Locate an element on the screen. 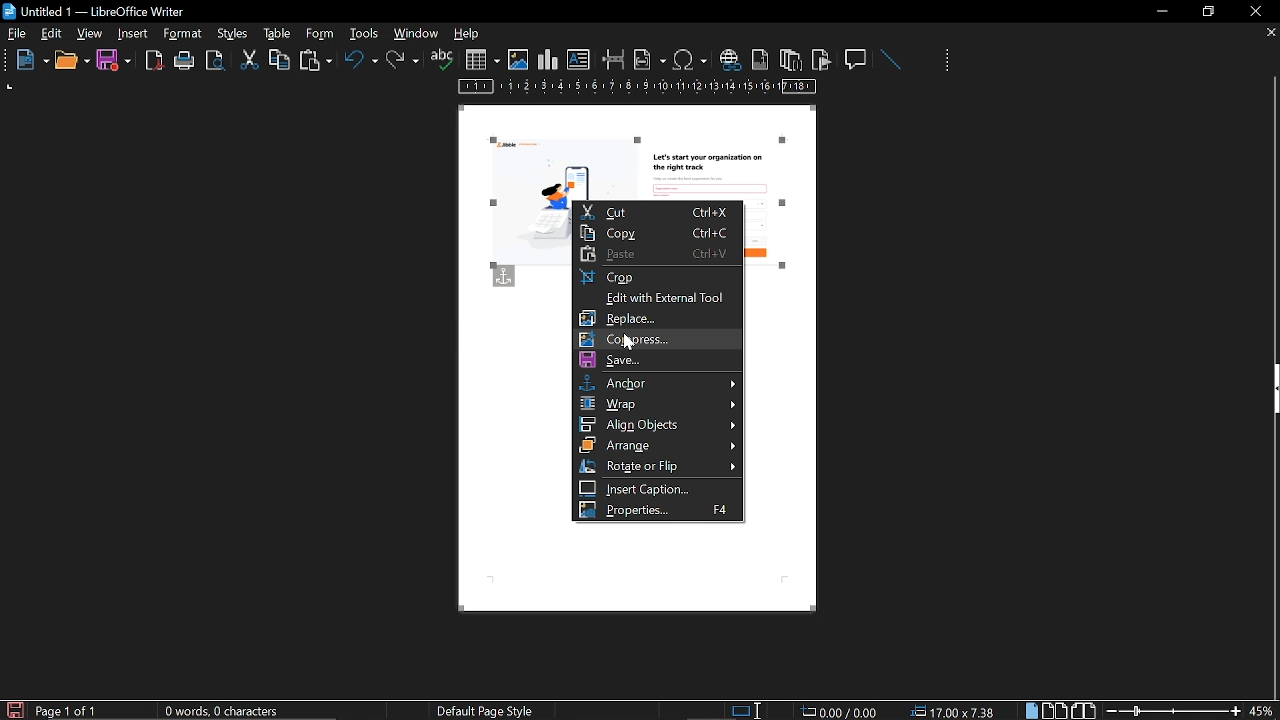 The image size is (1280, 720). cut  is located at coordinates (250, 60).